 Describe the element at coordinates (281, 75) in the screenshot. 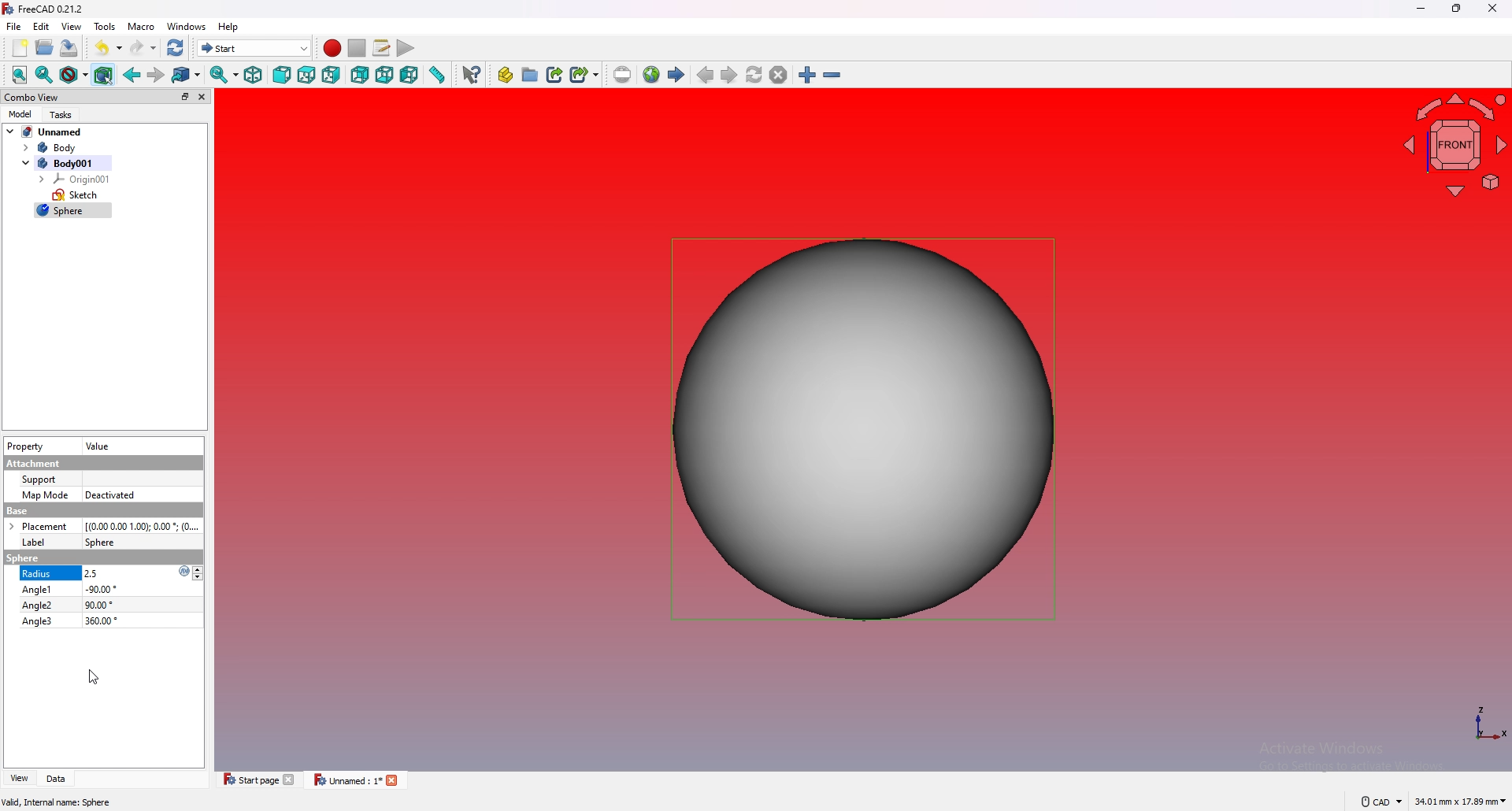

I see `front` at that location.